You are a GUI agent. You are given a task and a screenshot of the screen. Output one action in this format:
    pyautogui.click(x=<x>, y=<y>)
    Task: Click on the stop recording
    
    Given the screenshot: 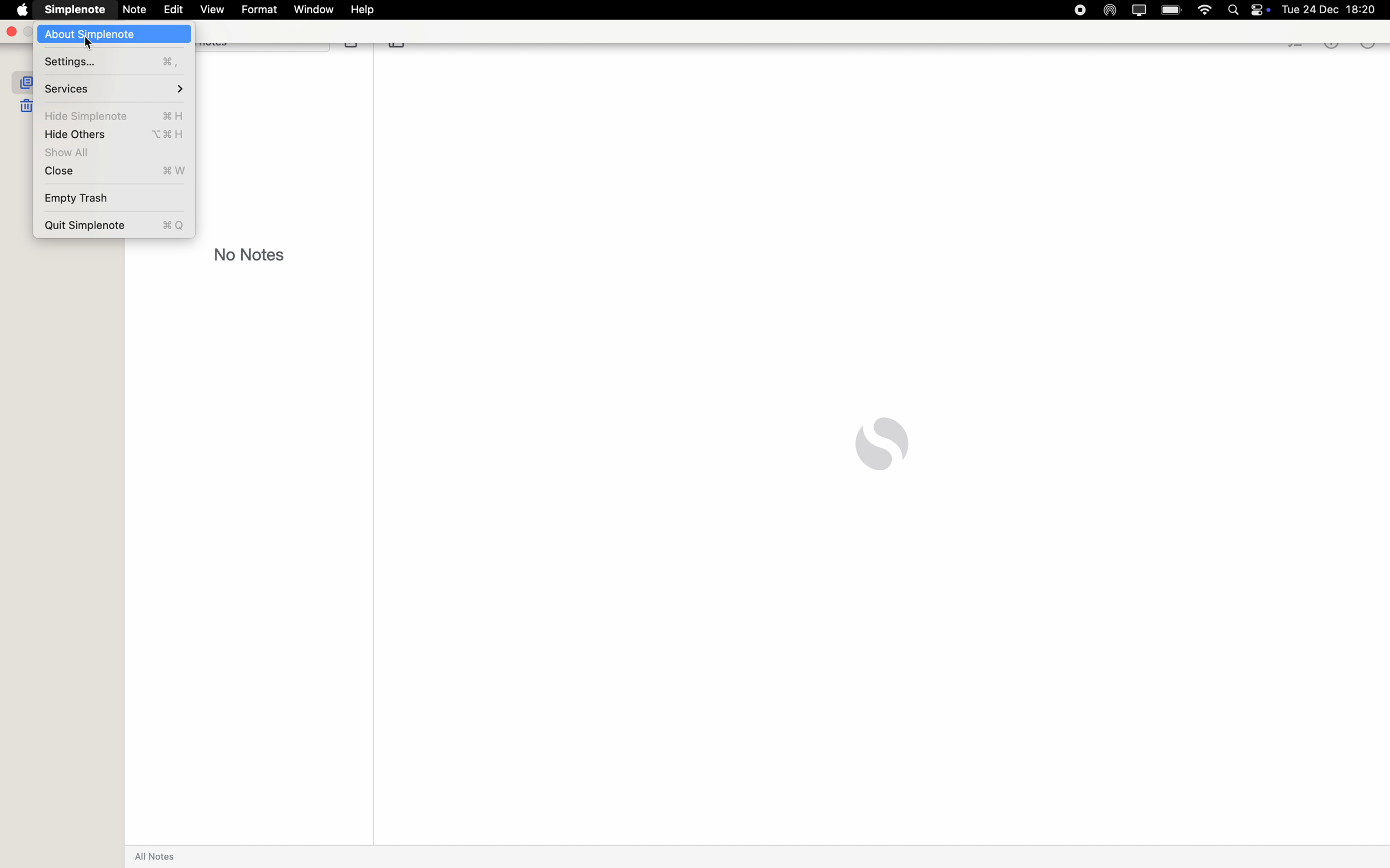 What is the action you would take?
    pyautogui.click(x=1079, y=10)
    